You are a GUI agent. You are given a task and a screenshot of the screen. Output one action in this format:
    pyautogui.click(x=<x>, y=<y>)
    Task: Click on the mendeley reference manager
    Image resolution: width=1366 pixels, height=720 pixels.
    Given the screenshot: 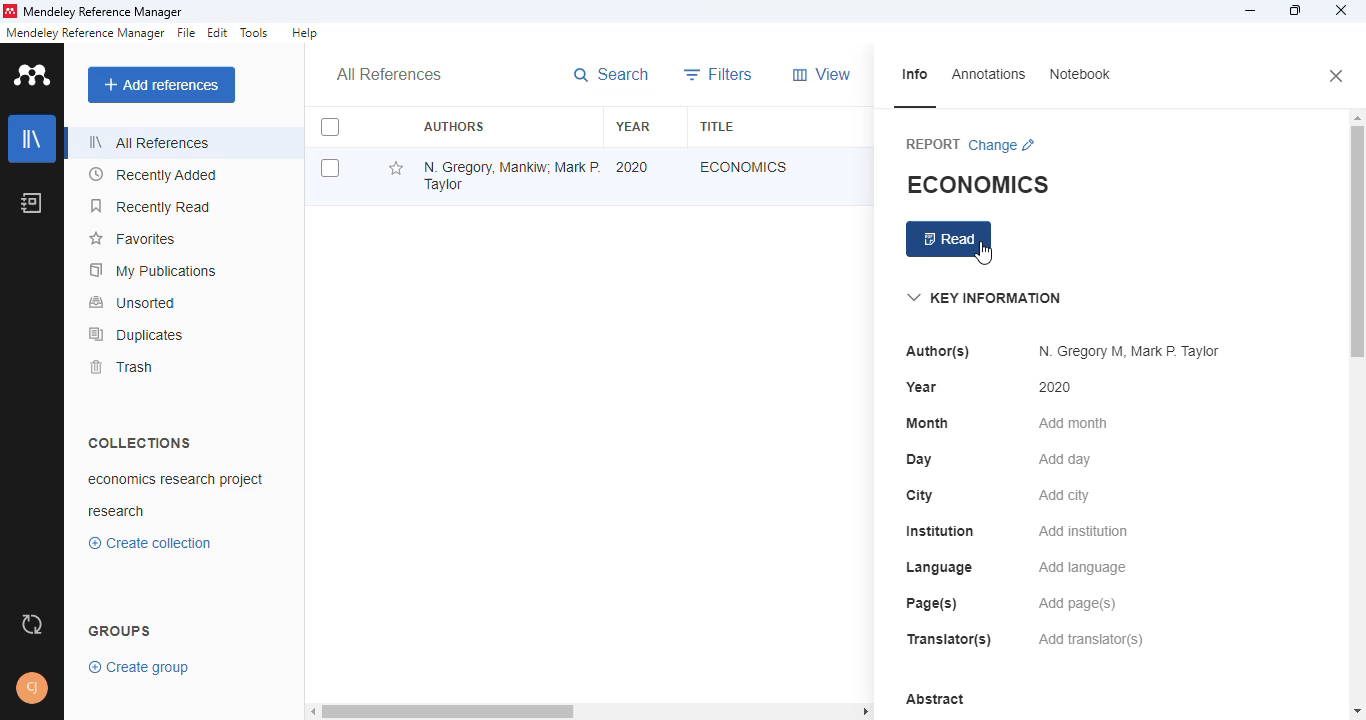 What is the action you would take?
    pyautogui.click(x=85, y=33)
    